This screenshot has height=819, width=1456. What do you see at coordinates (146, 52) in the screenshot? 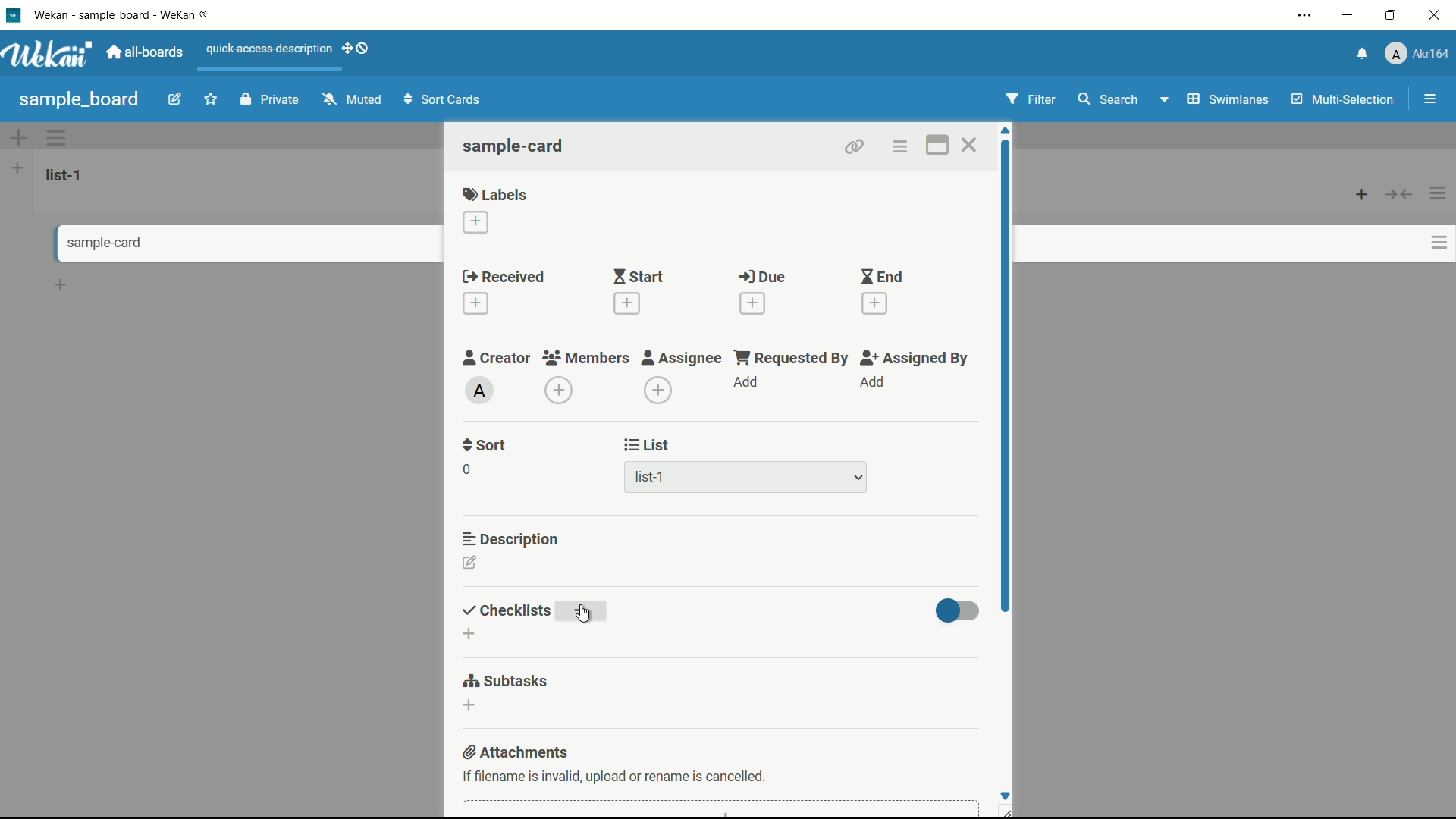
I see `all boards` at bounding box center [146, 52].